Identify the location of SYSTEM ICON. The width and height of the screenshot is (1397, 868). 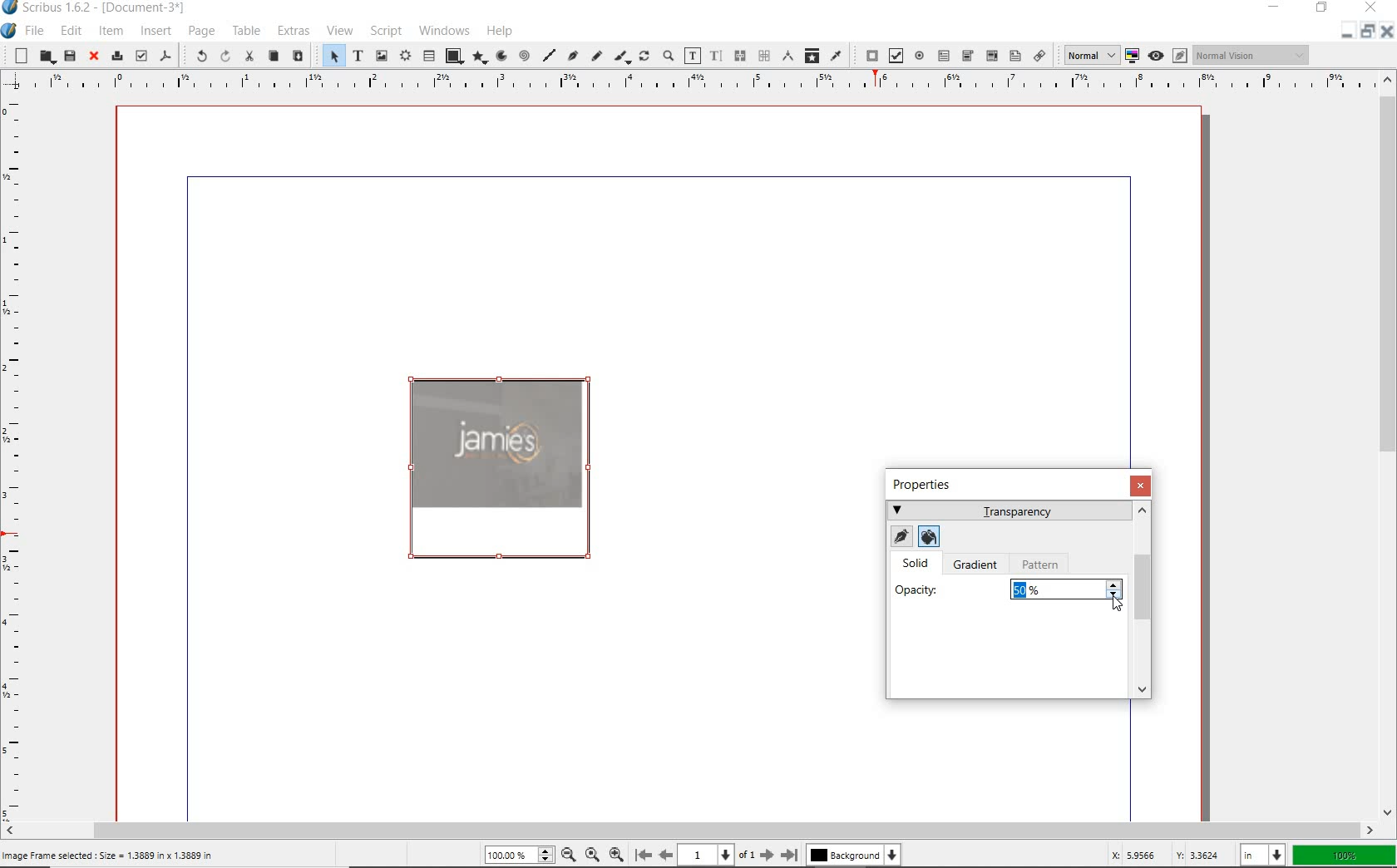
(9, 32).